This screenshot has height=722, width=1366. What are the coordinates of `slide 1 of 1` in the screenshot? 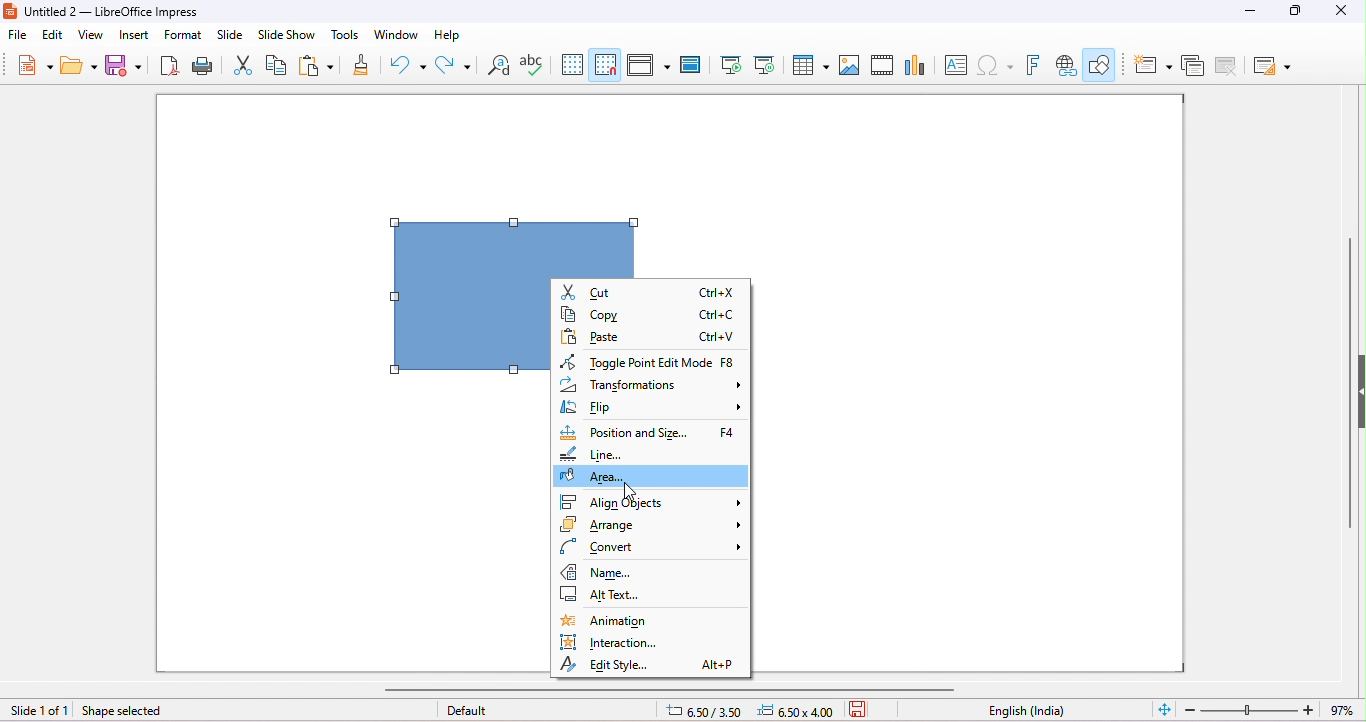 It's located at (39, 711).